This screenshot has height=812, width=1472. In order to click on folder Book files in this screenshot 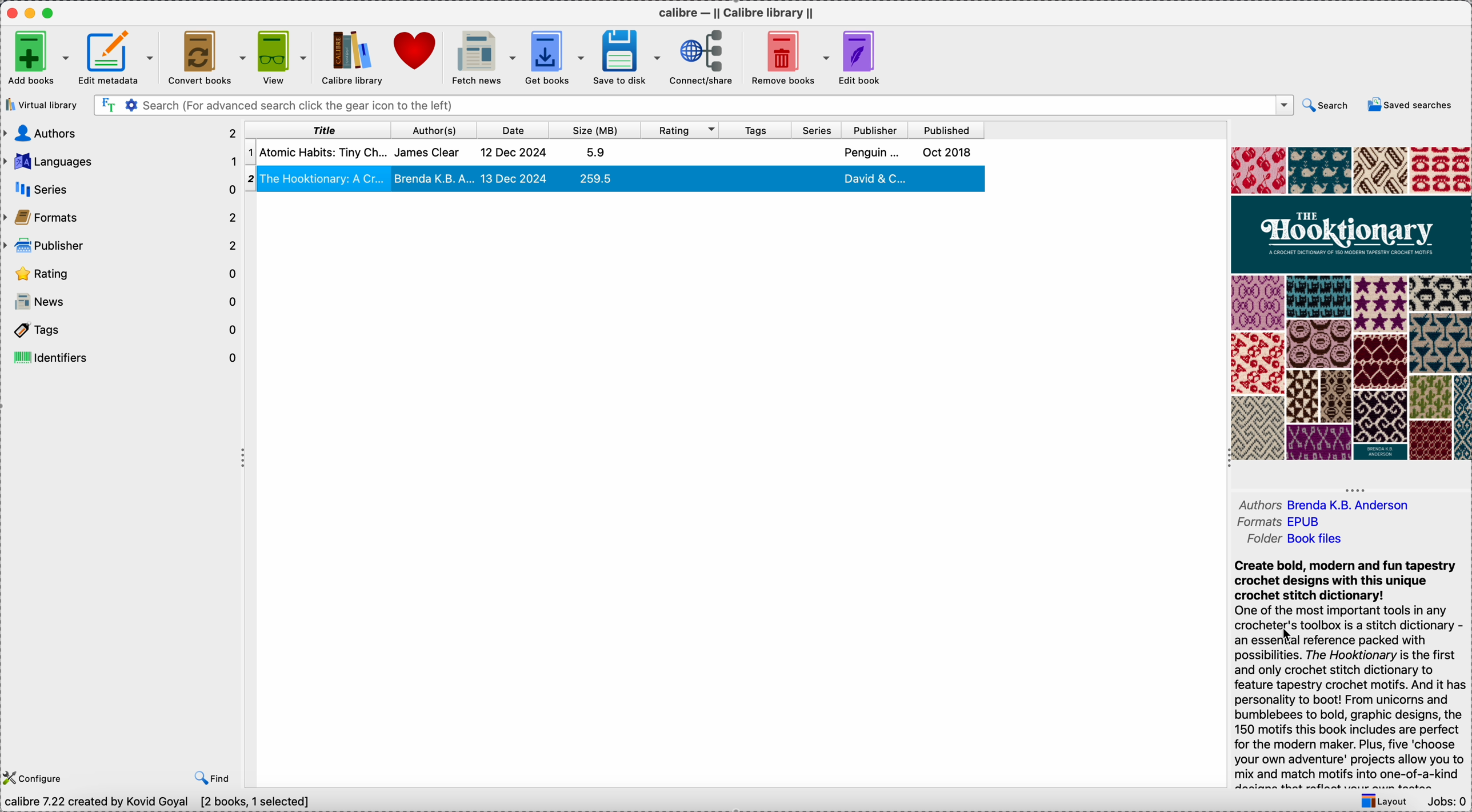, I will do `click(1300, 539)`.